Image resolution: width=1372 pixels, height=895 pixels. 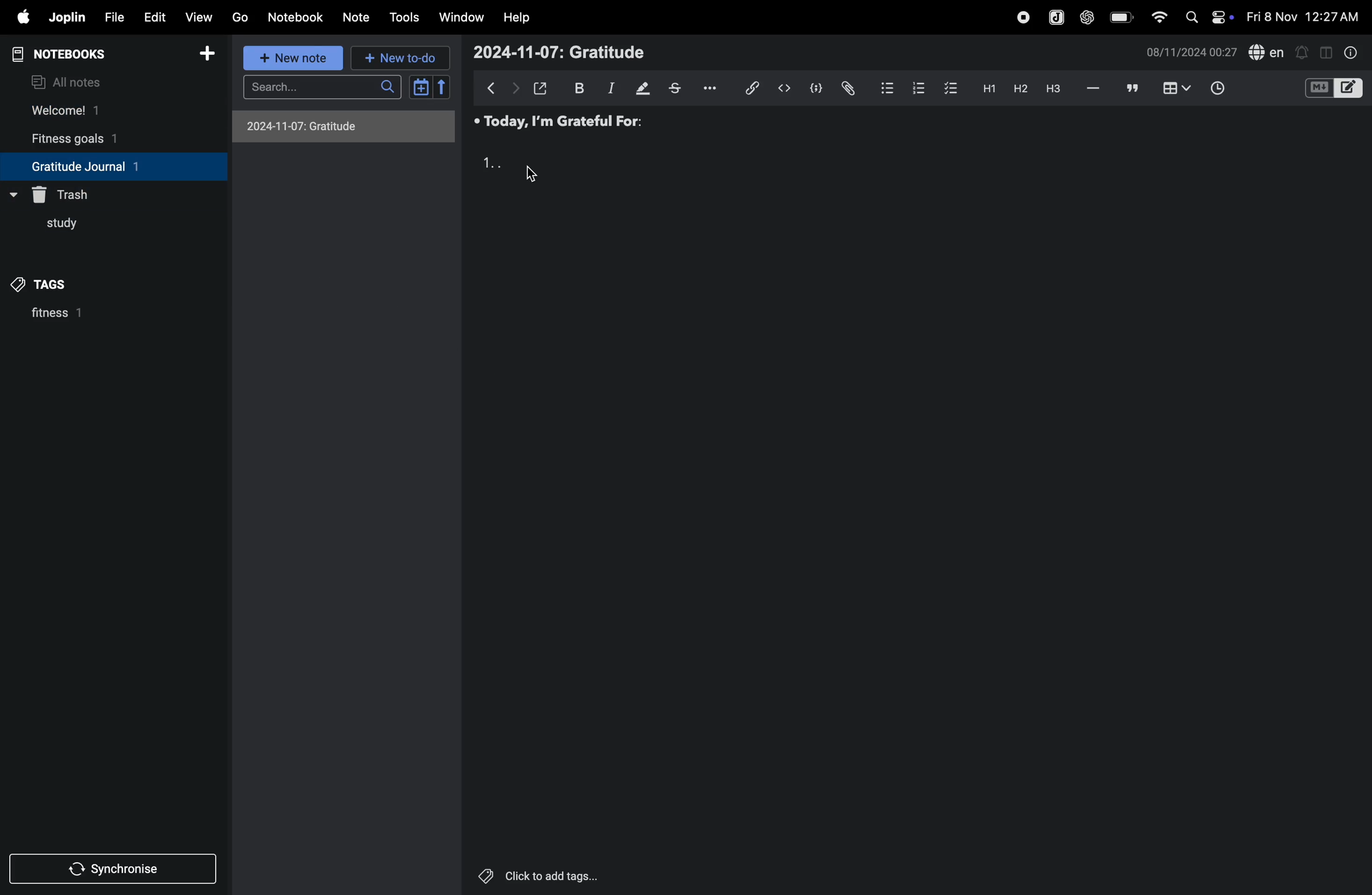 What do you see at coordinates (1056, 92) in the screenshot?
I see `heading 3` at bounding box center [1056, 92].